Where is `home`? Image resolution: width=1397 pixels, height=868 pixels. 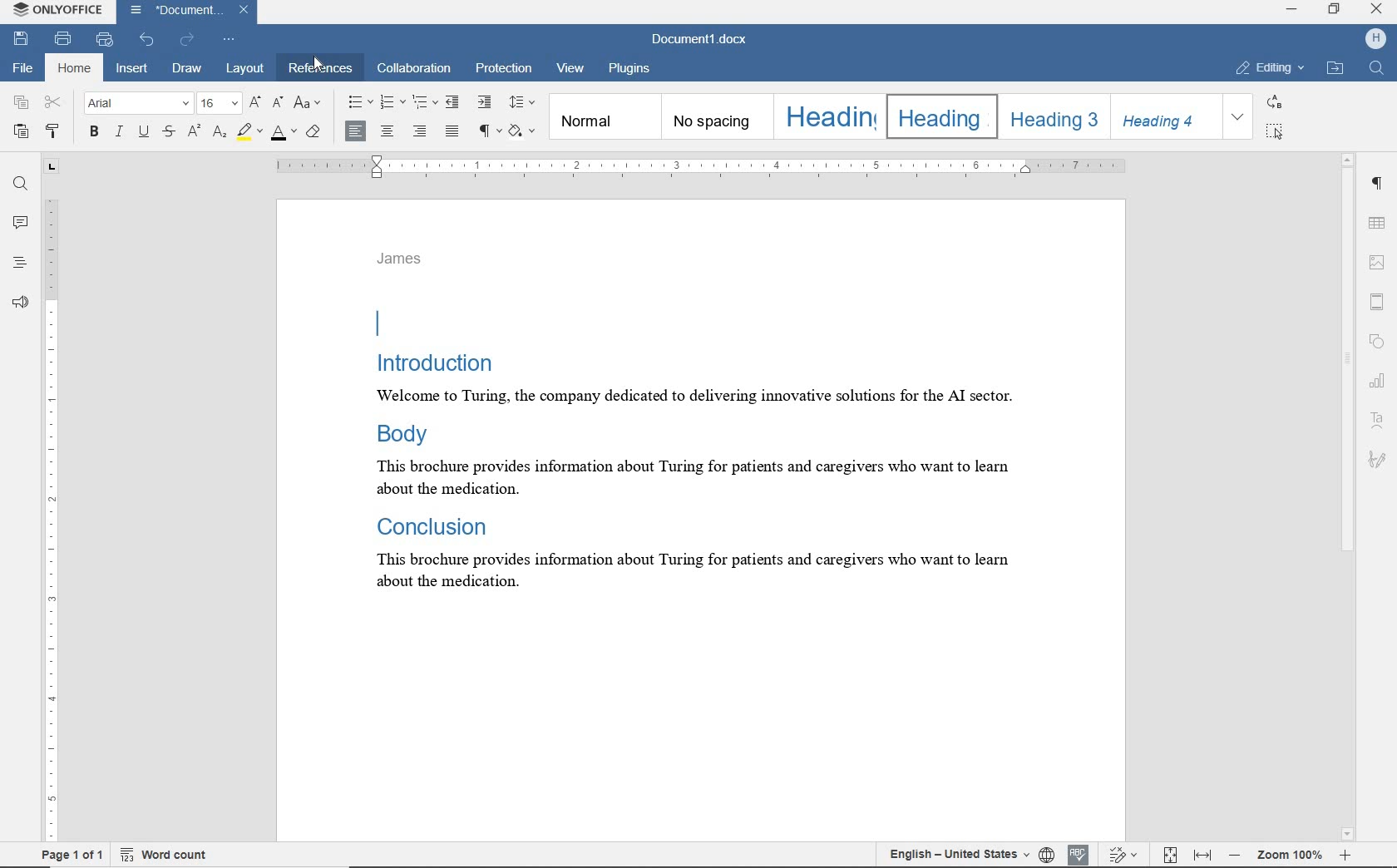 home is located at coordinates (74, 70).